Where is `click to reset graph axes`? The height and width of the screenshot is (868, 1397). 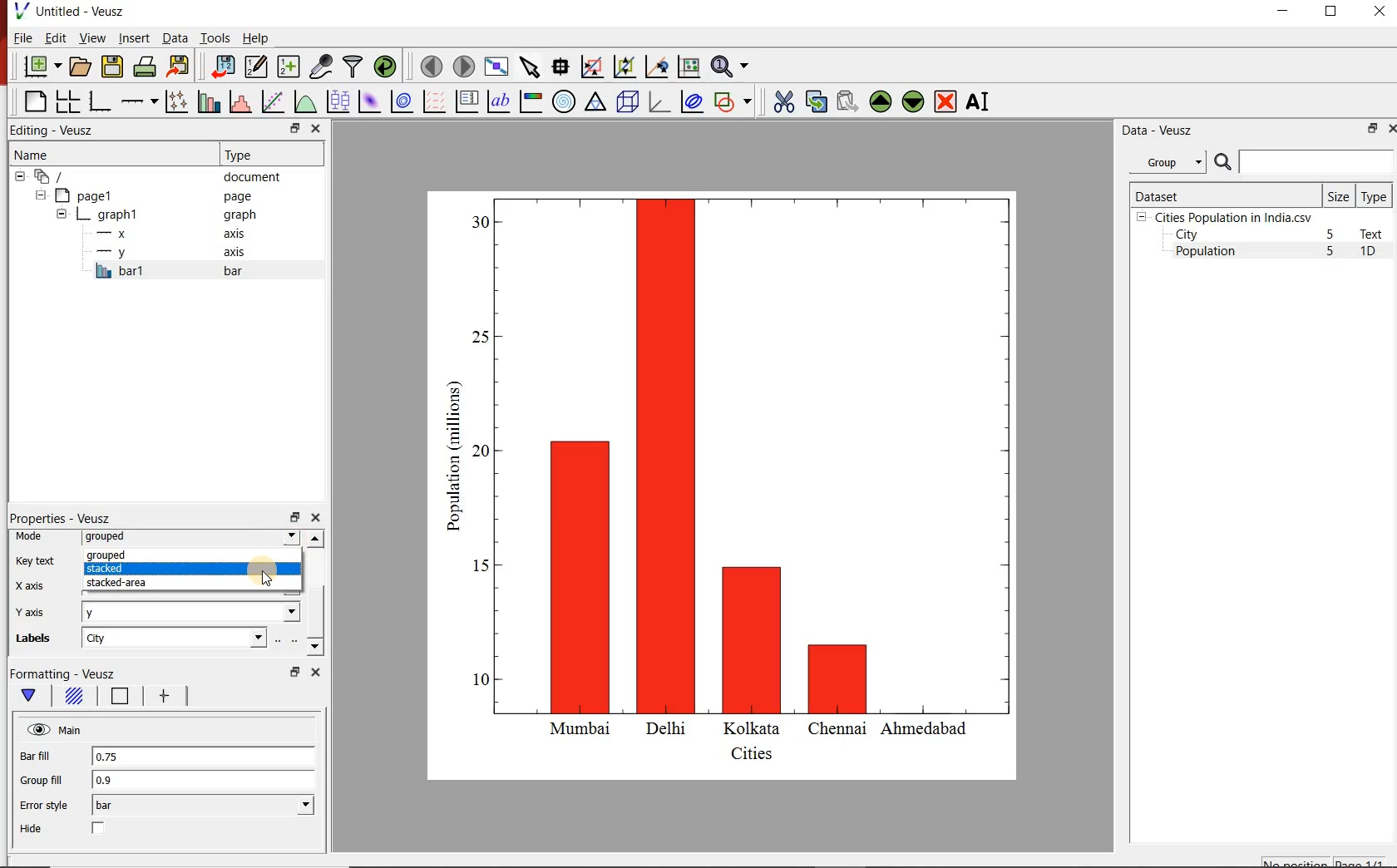
click to reset graph axes is located at coordinates (689, 66).